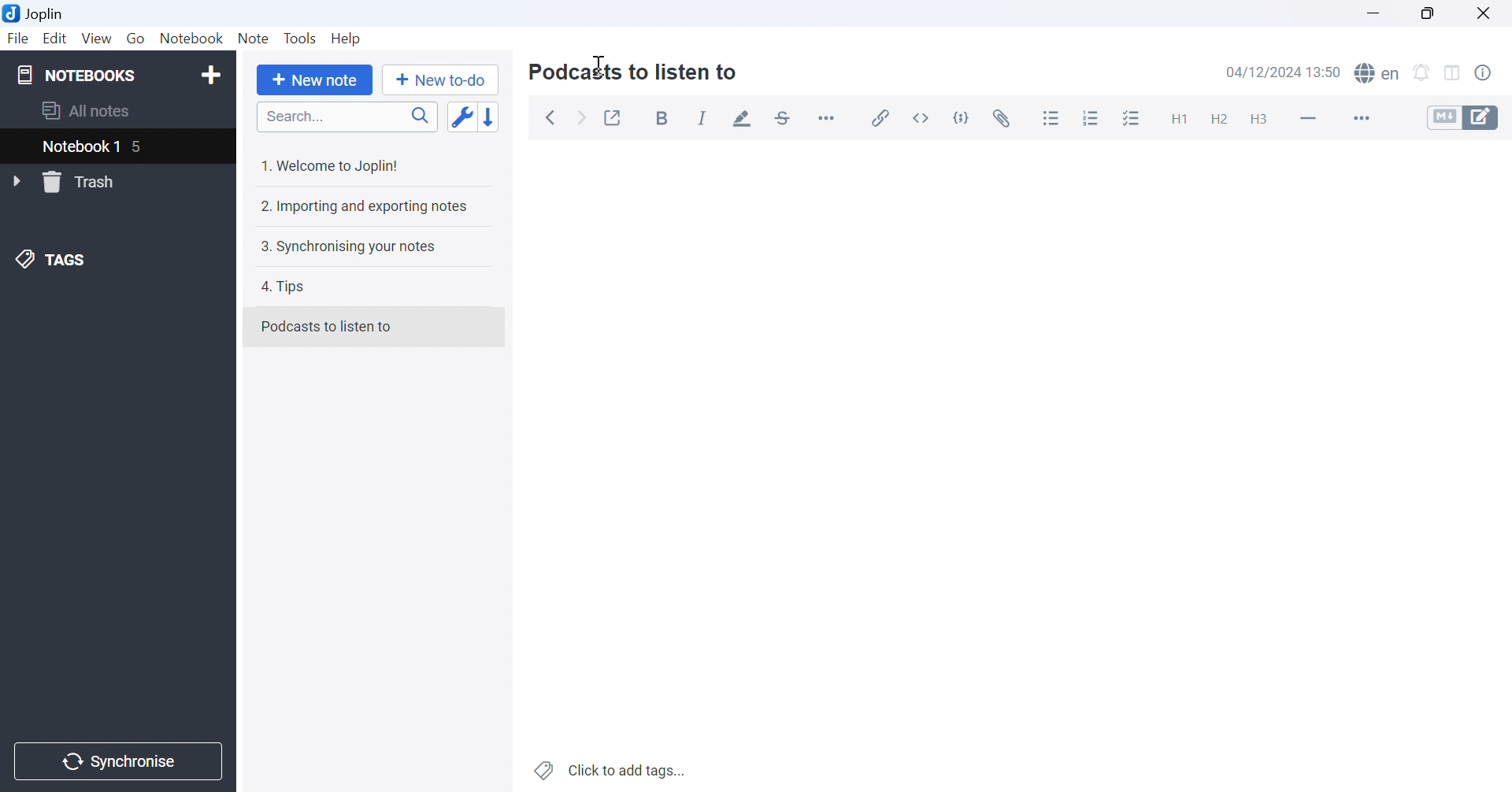  I want to click on 5, so click(146, 148).